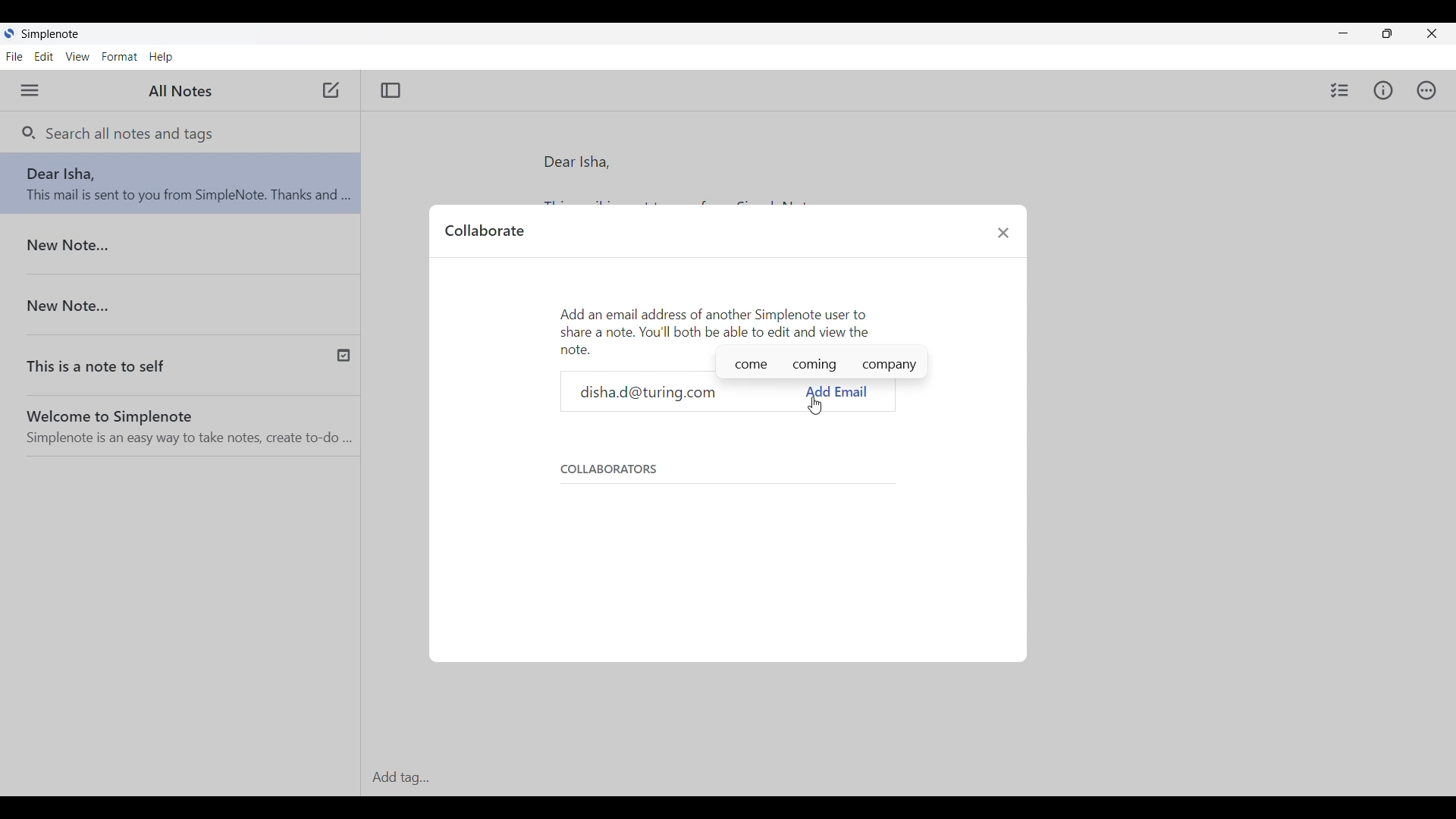 The width and height of the screenshot is (1456, 819). What do you see at coordinates (716, 328) in the screenshot?
I see `Description of current window` at bounding box center [716, 328].